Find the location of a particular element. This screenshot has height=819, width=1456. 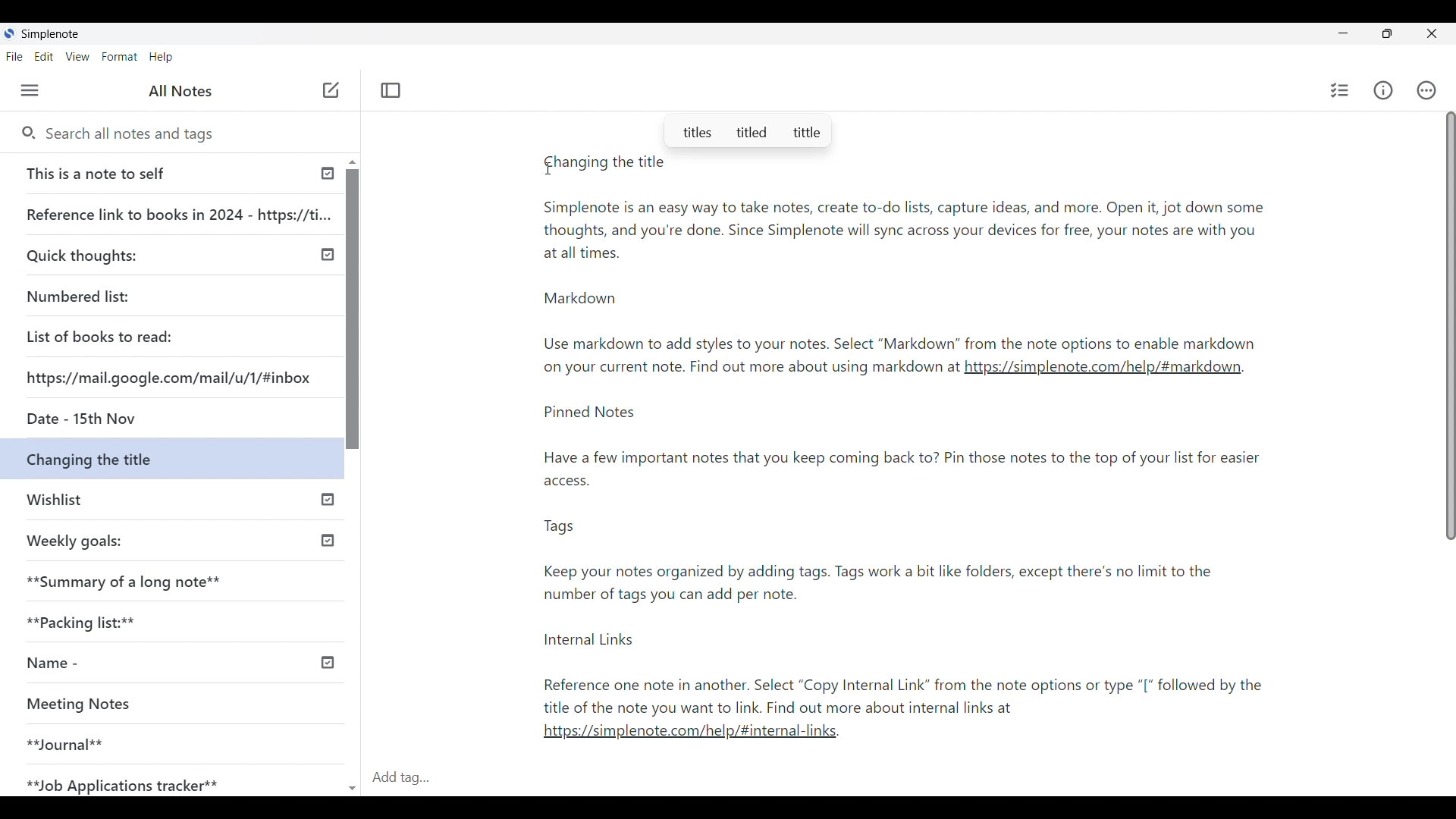

Close interface is located at coordinates (1434, 33).